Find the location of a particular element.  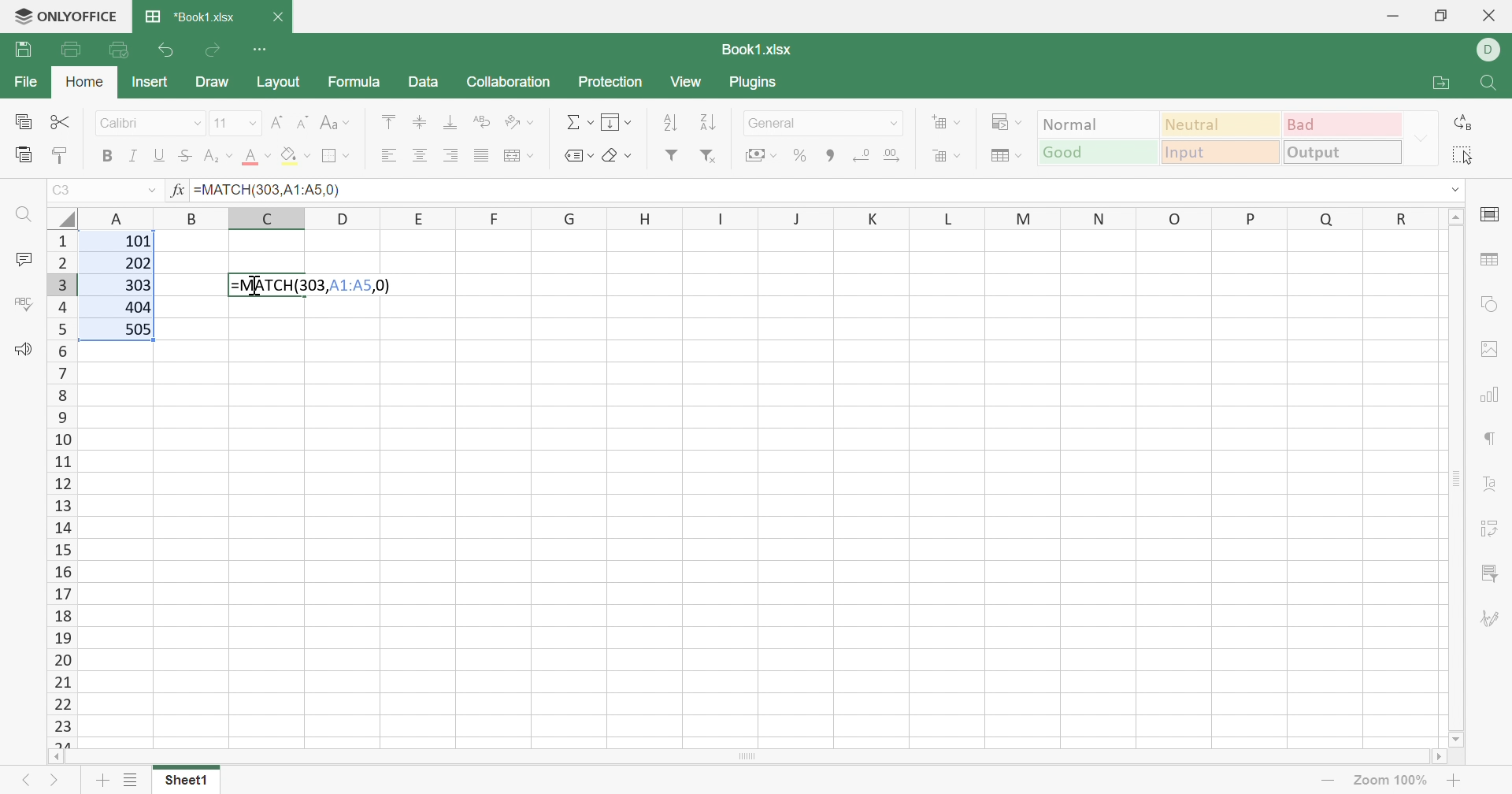

Copy Style is located at coordinates (63, 154).